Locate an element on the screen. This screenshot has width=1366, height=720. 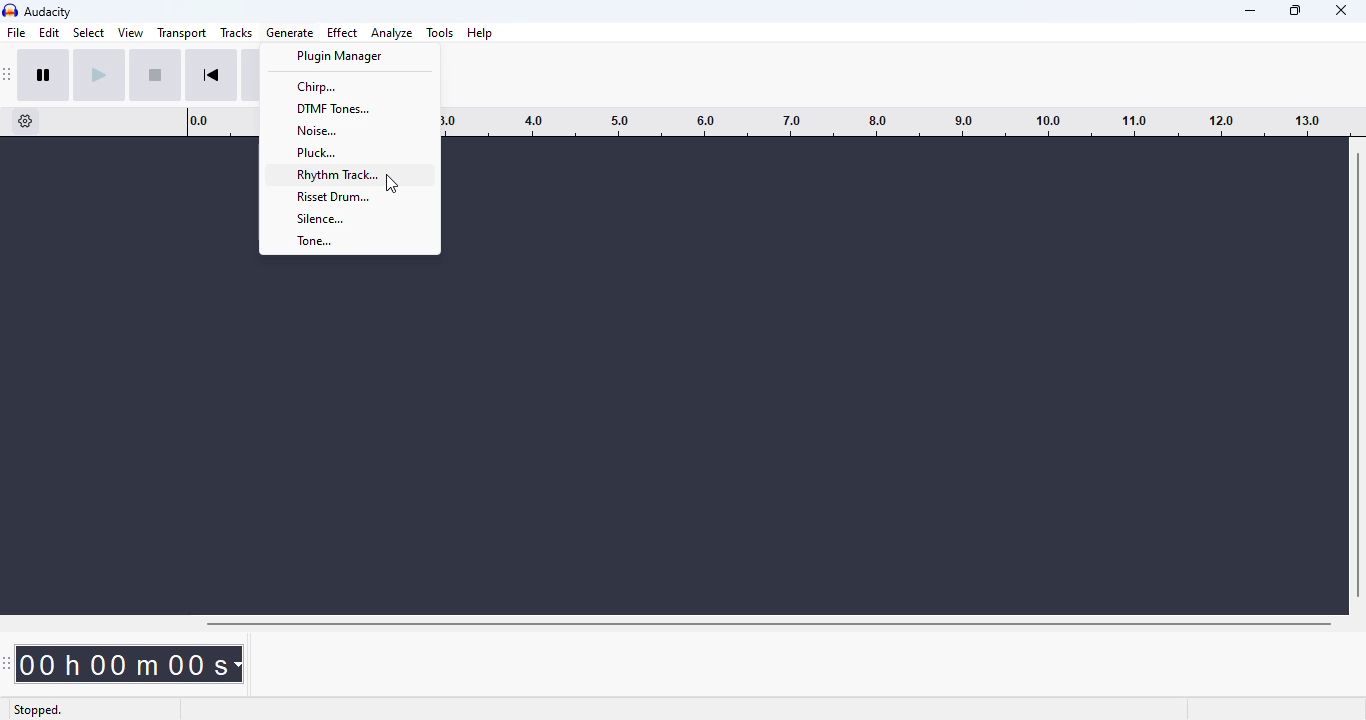
help is located at coordinates (480, 33).